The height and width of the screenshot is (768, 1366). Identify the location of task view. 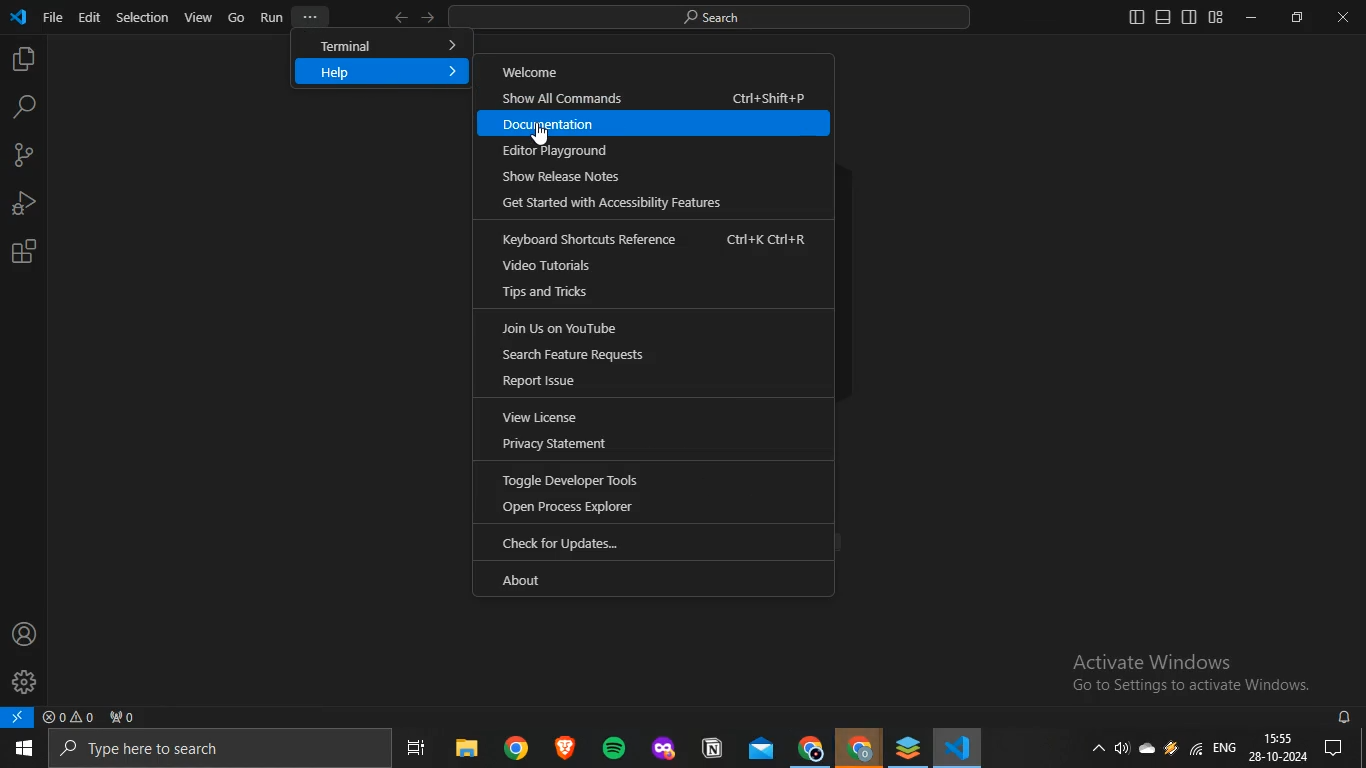
(421, 750).